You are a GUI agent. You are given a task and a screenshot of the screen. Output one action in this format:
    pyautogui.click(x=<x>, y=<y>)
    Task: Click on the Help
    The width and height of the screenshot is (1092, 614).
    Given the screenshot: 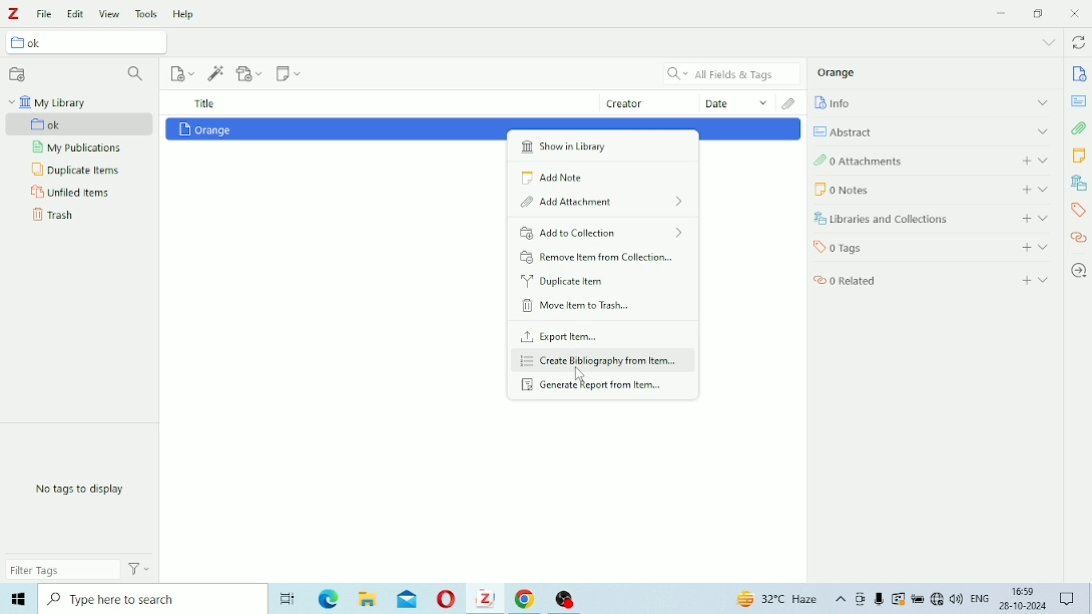 What is the action you would take?
    pyautogui.click(x=186, y=14)
    